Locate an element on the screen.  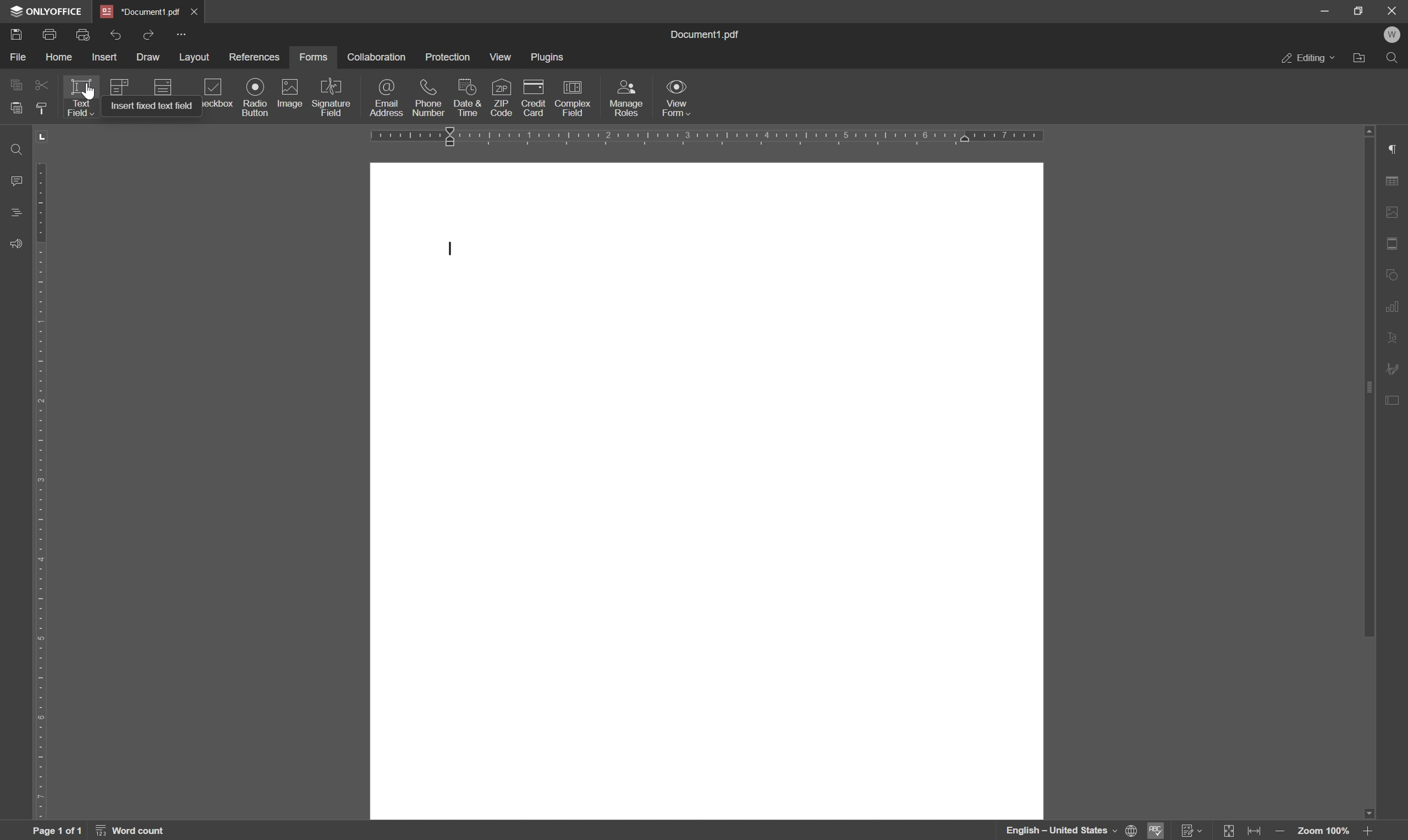
form settings is located at coordinates (1394, 402).